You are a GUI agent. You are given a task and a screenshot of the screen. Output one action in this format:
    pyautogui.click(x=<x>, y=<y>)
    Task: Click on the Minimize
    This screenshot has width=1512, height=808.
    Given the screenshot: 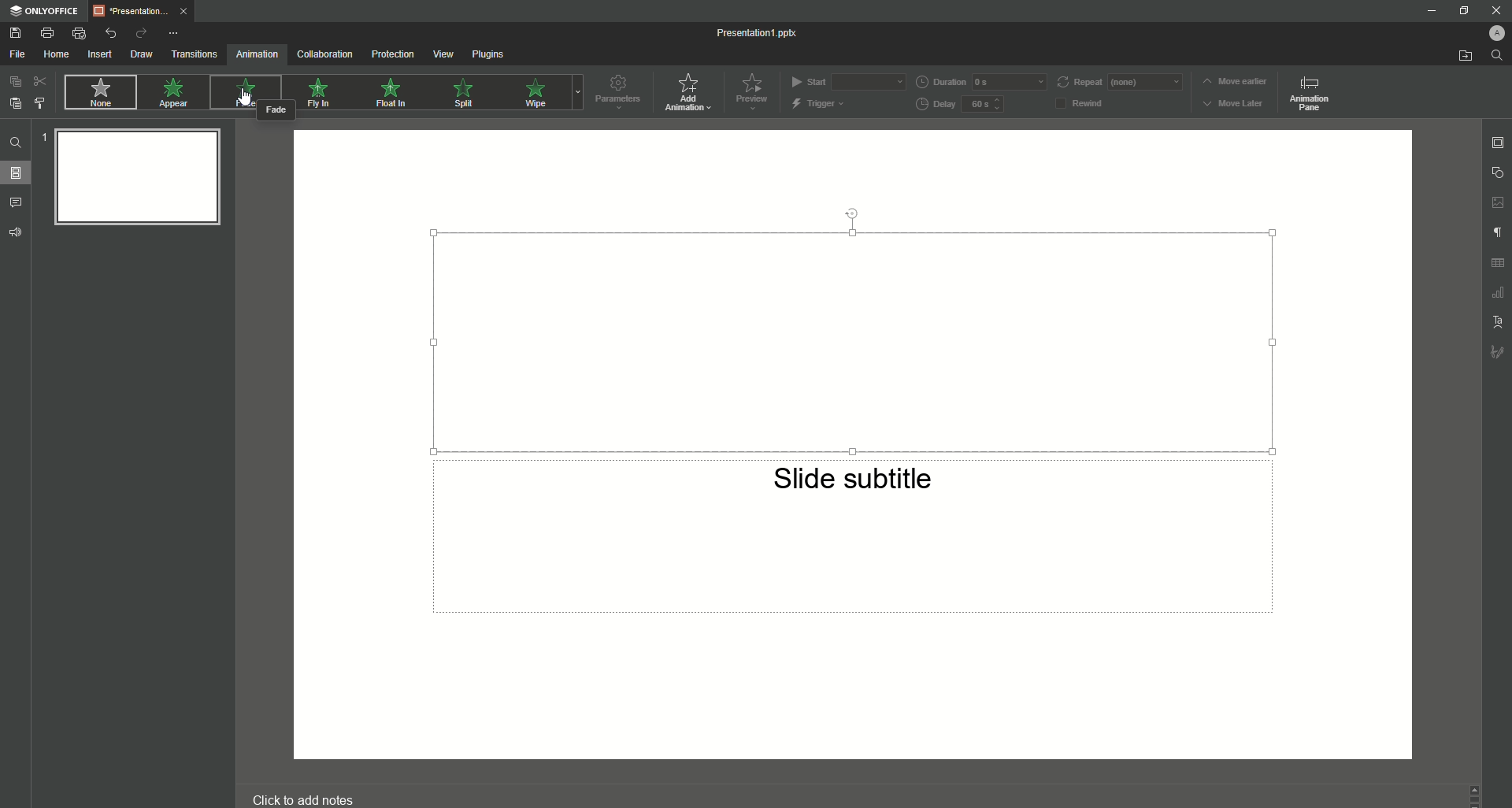 What is the action you would take?
    pyautogui.click(x=1430, y=10)
    